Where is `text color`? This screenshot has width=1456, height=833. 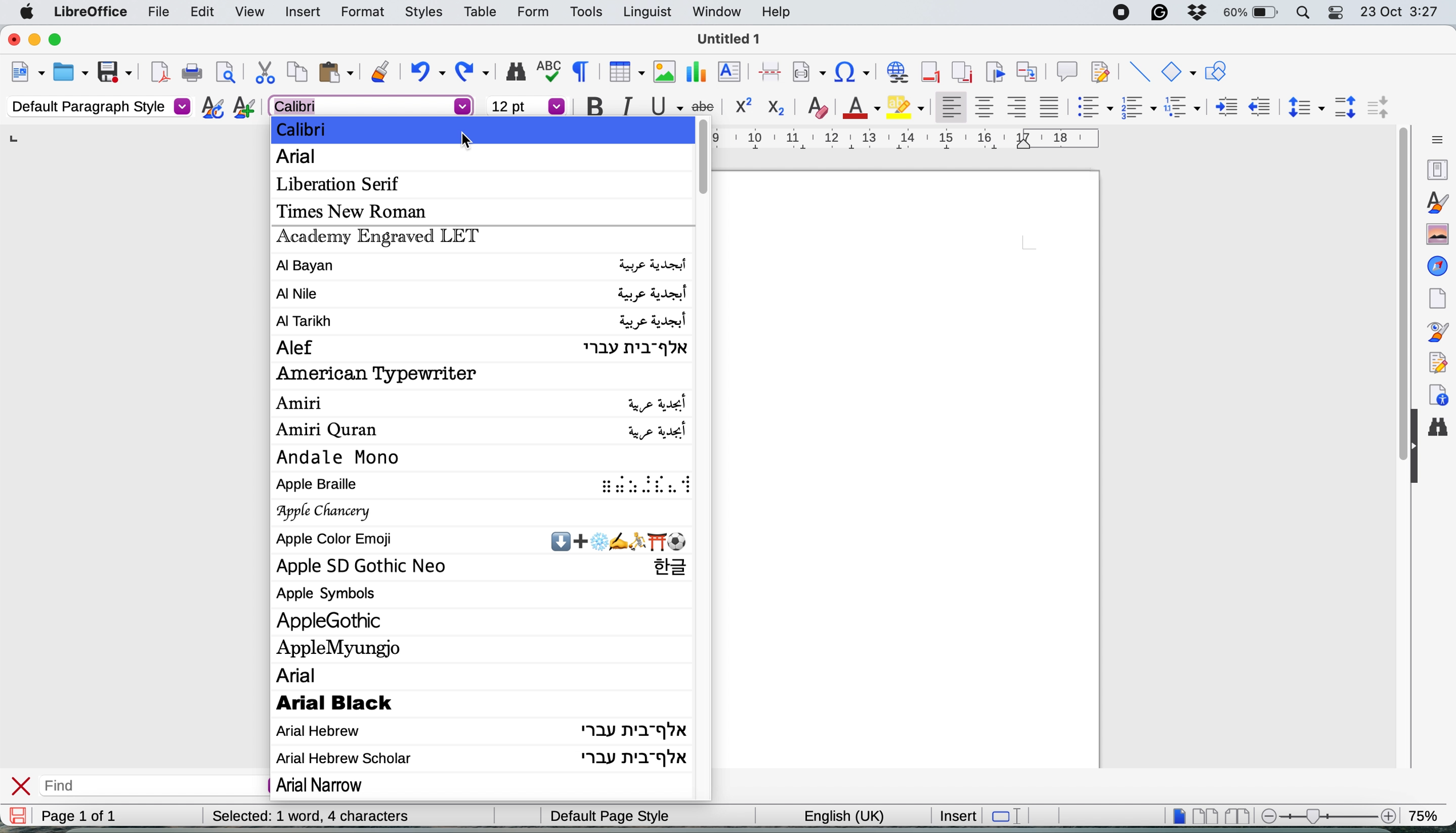 text color is located at coordinates (861, 106).